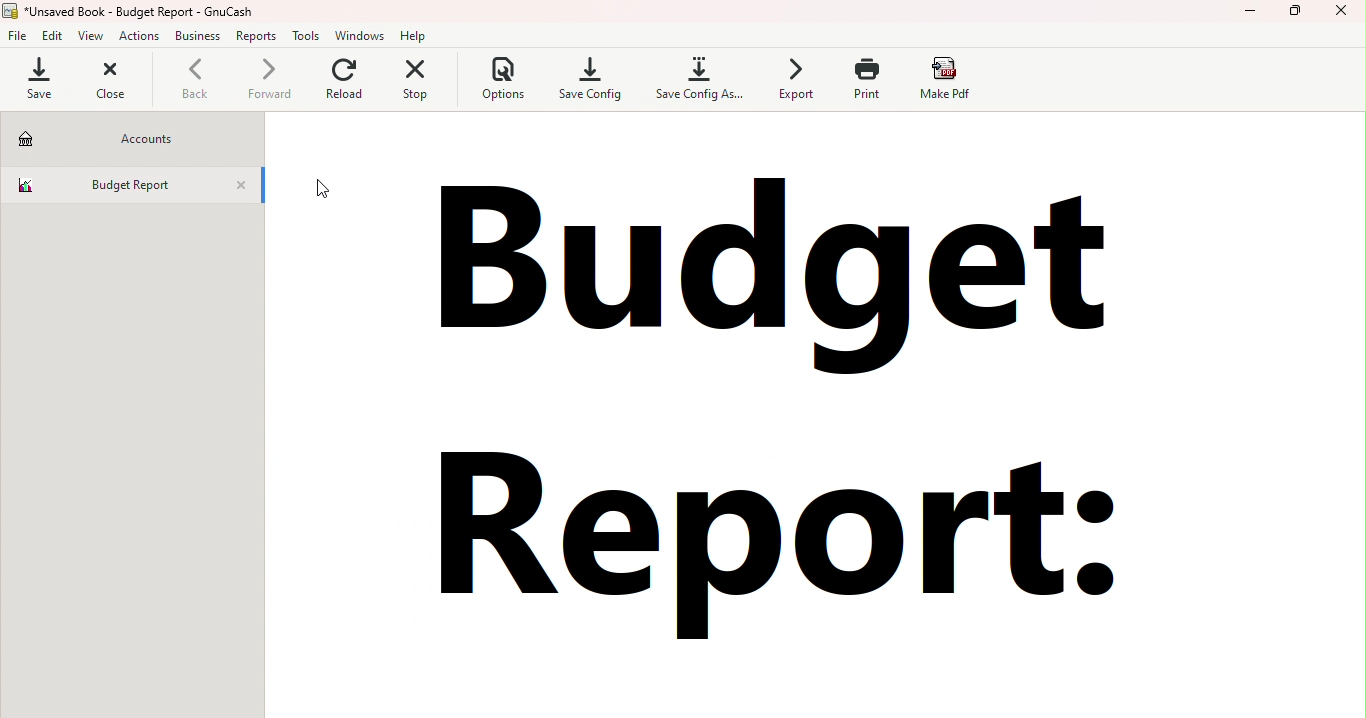 Image resolution: width=1366 pixels, height=718 pixels. I want to click on Make pdf, so click(947, 79).